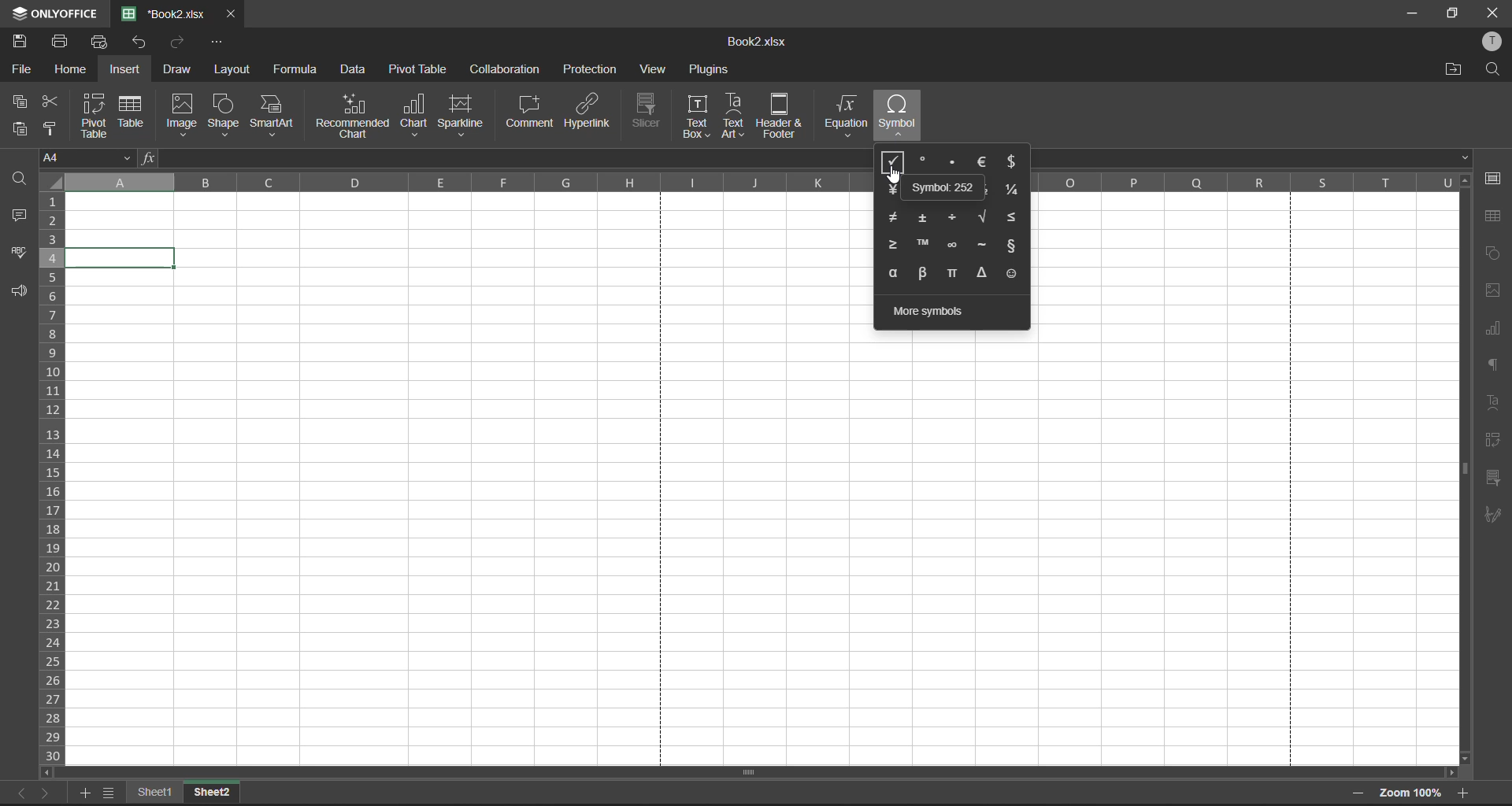 This screenshot has height=806, width=1512. Describe the element at coordinates (984, 246) in the screenshot. I see `tilde` at that location.